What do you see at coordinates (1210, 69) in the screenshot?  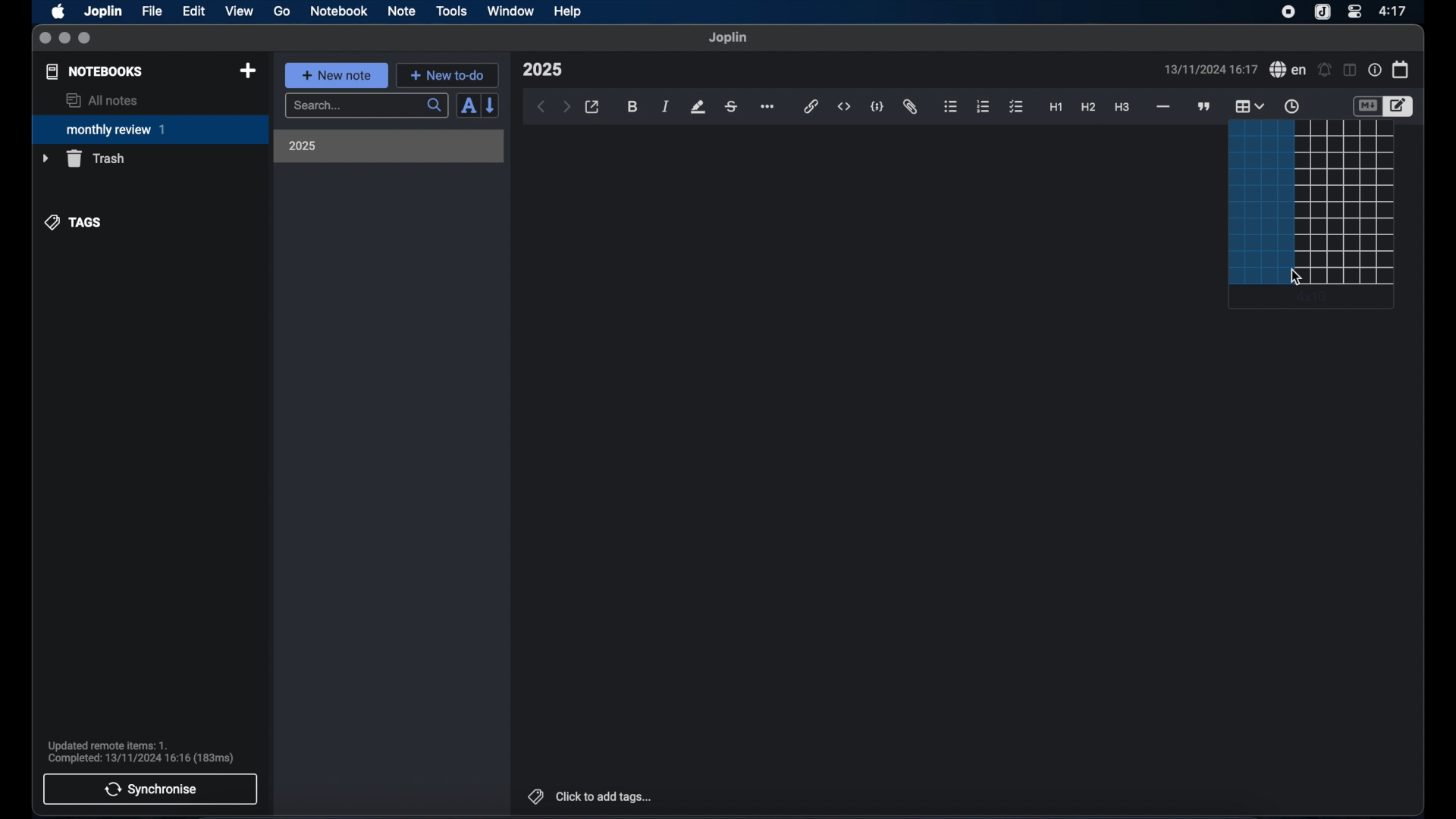 I see `date` at bounding box center [1210, 69].